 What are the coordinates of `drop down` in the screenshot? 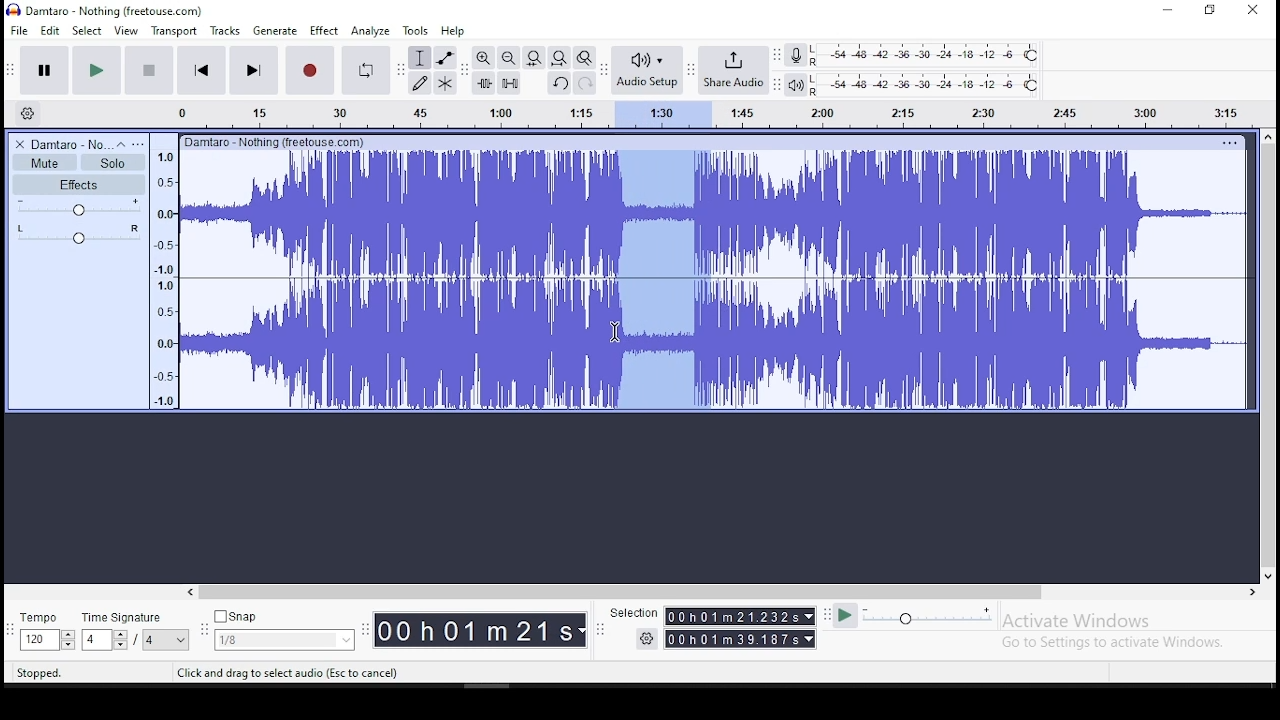 It's located at (344, 640).